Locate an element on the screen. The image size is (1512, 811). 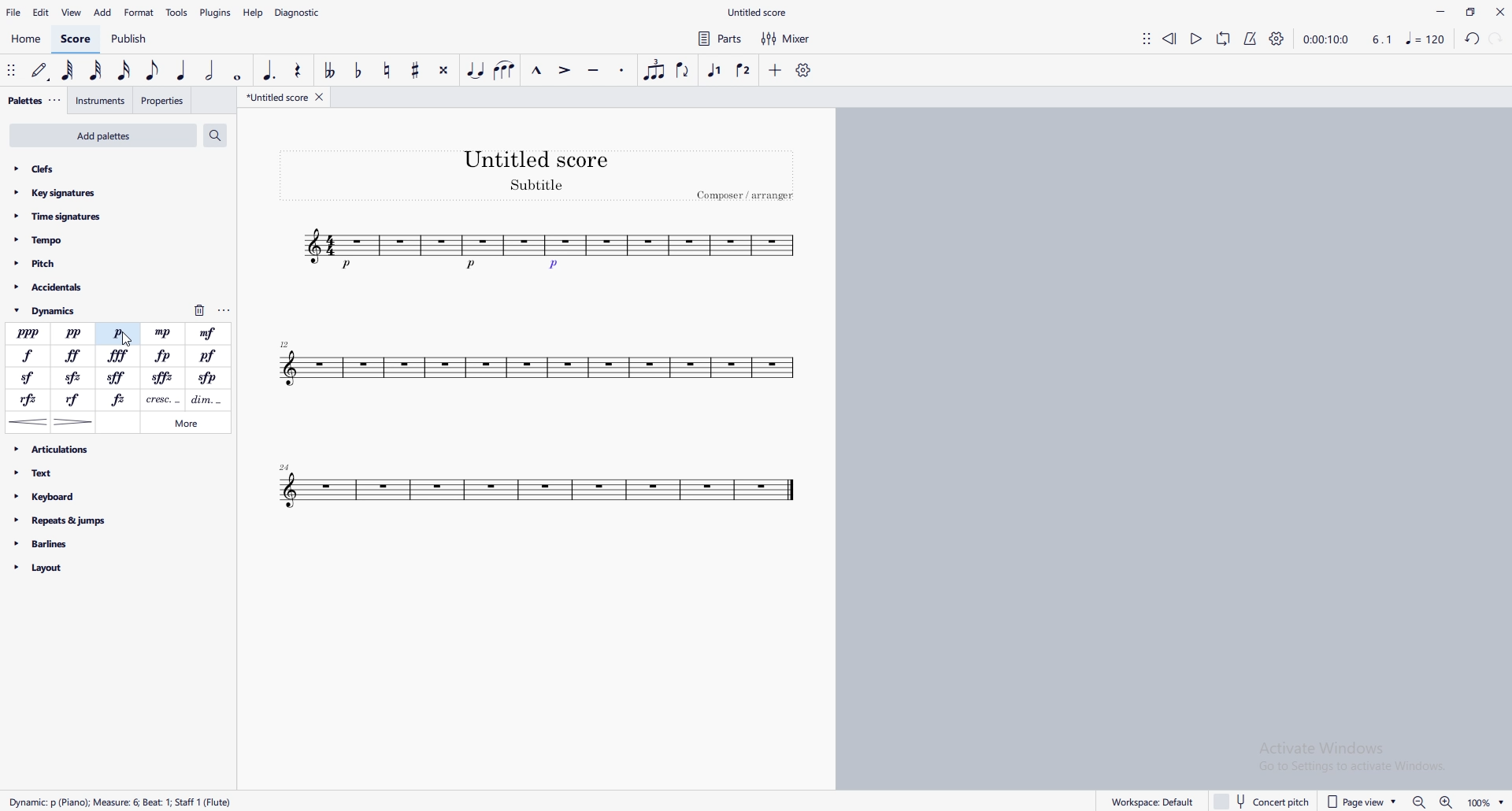
dynamics is located at coordinates (95, 309).